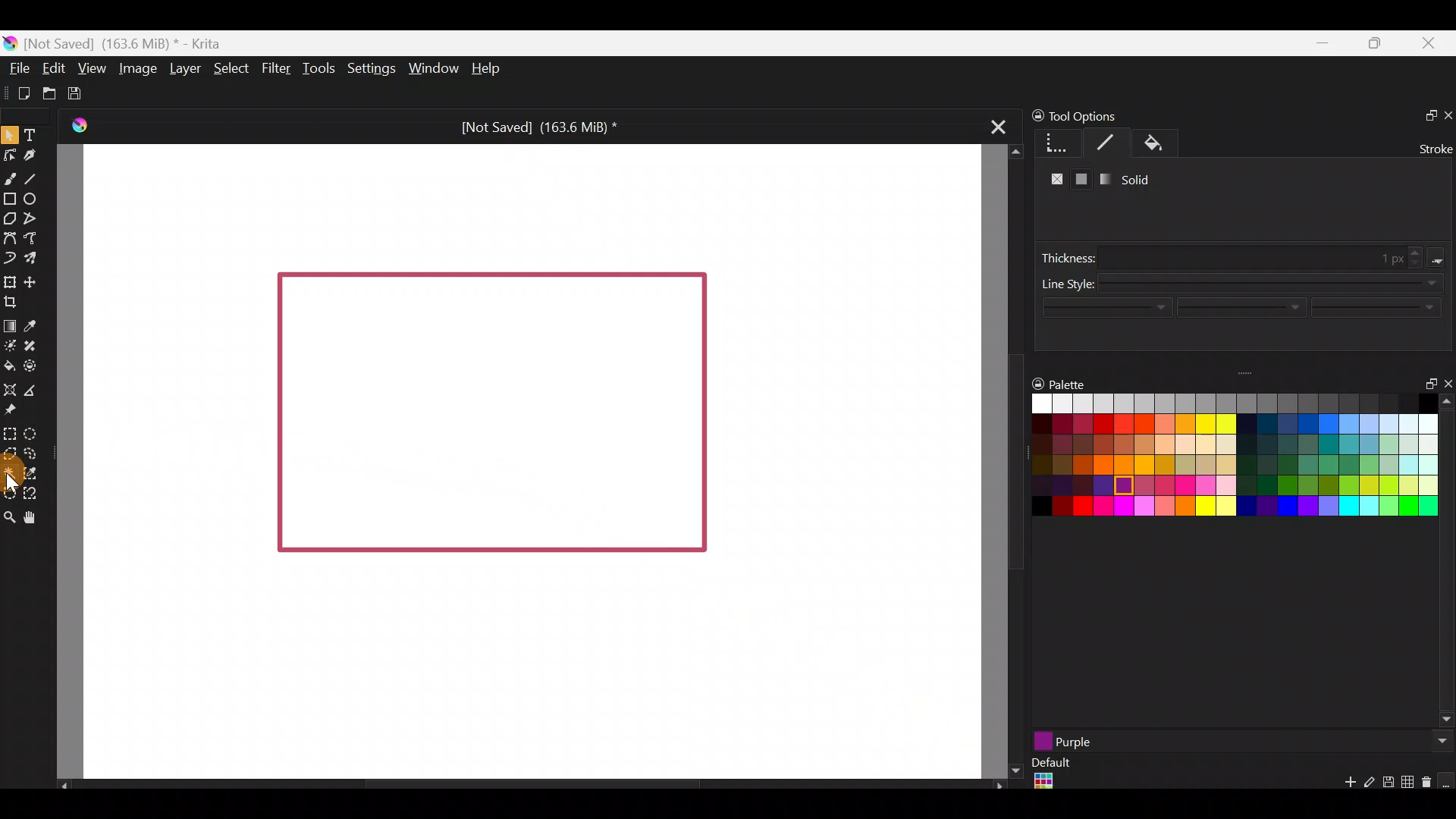 The height and width of the screenshot is (819, 1456). I want to click on Layer, so click(185, 67).